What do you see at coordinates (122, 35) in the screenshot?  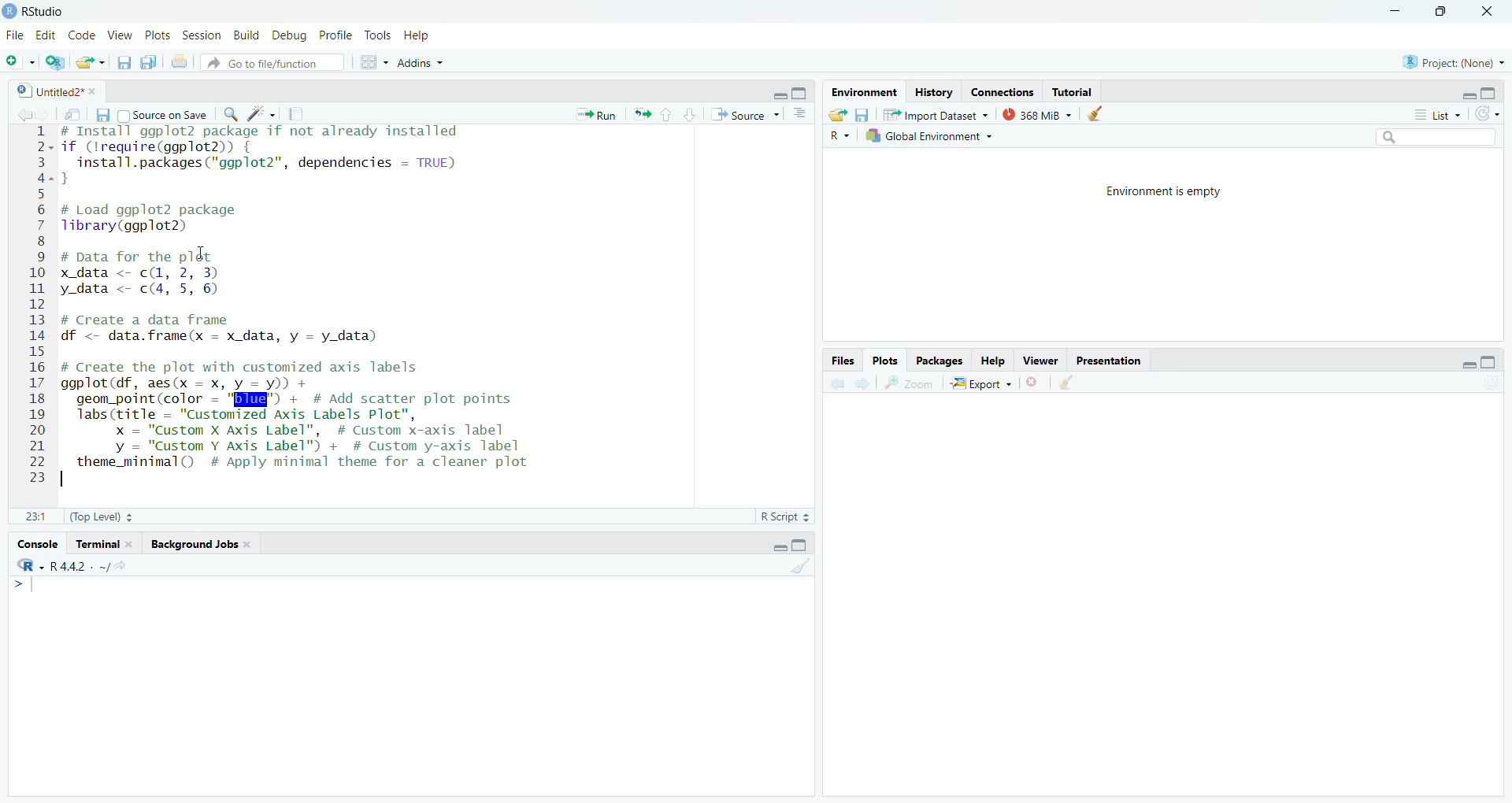 I see `View` at bounding box center [122, 35].